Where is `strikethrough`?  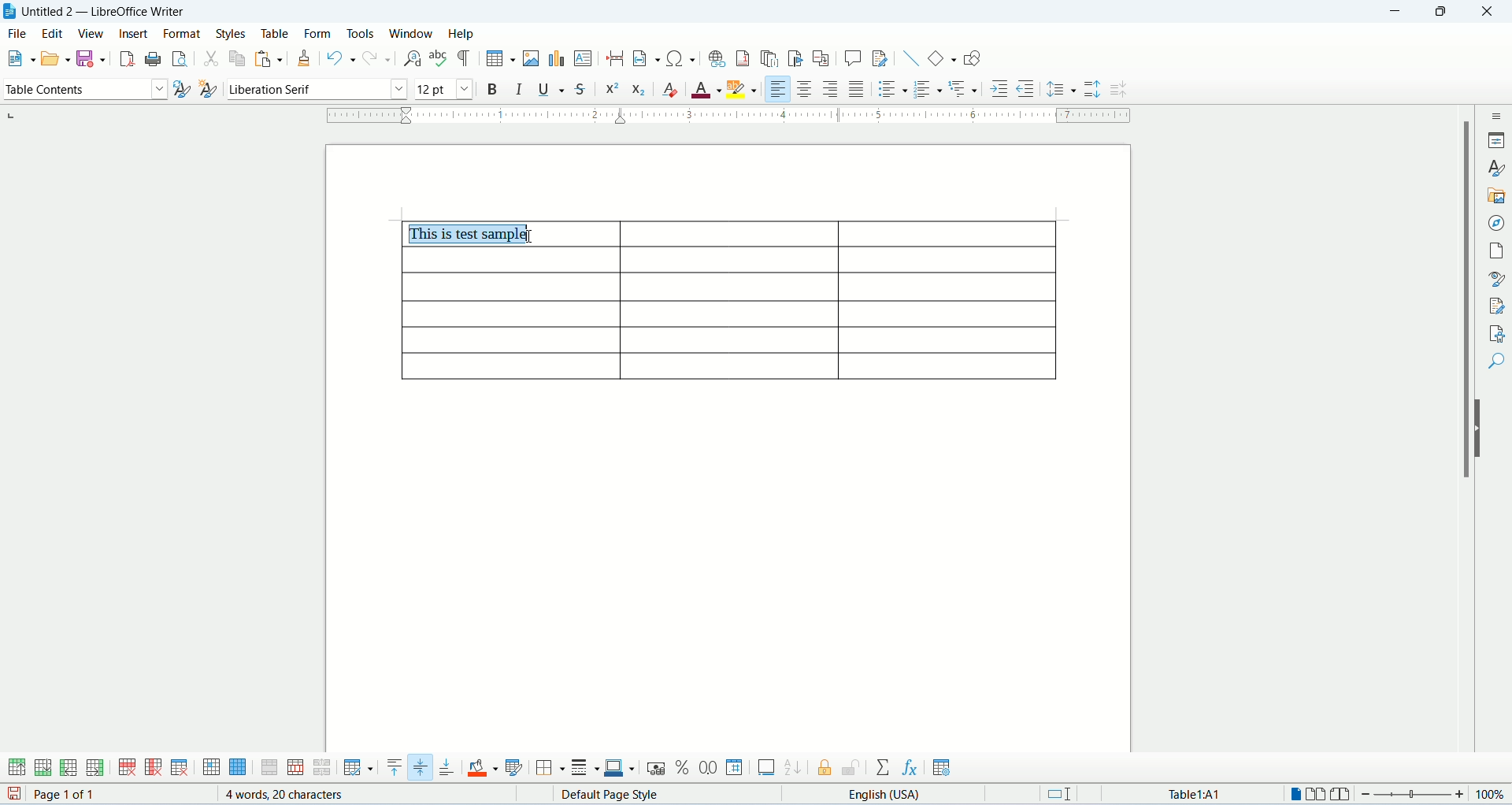
strikethrough is located at coordinates (578, 90).